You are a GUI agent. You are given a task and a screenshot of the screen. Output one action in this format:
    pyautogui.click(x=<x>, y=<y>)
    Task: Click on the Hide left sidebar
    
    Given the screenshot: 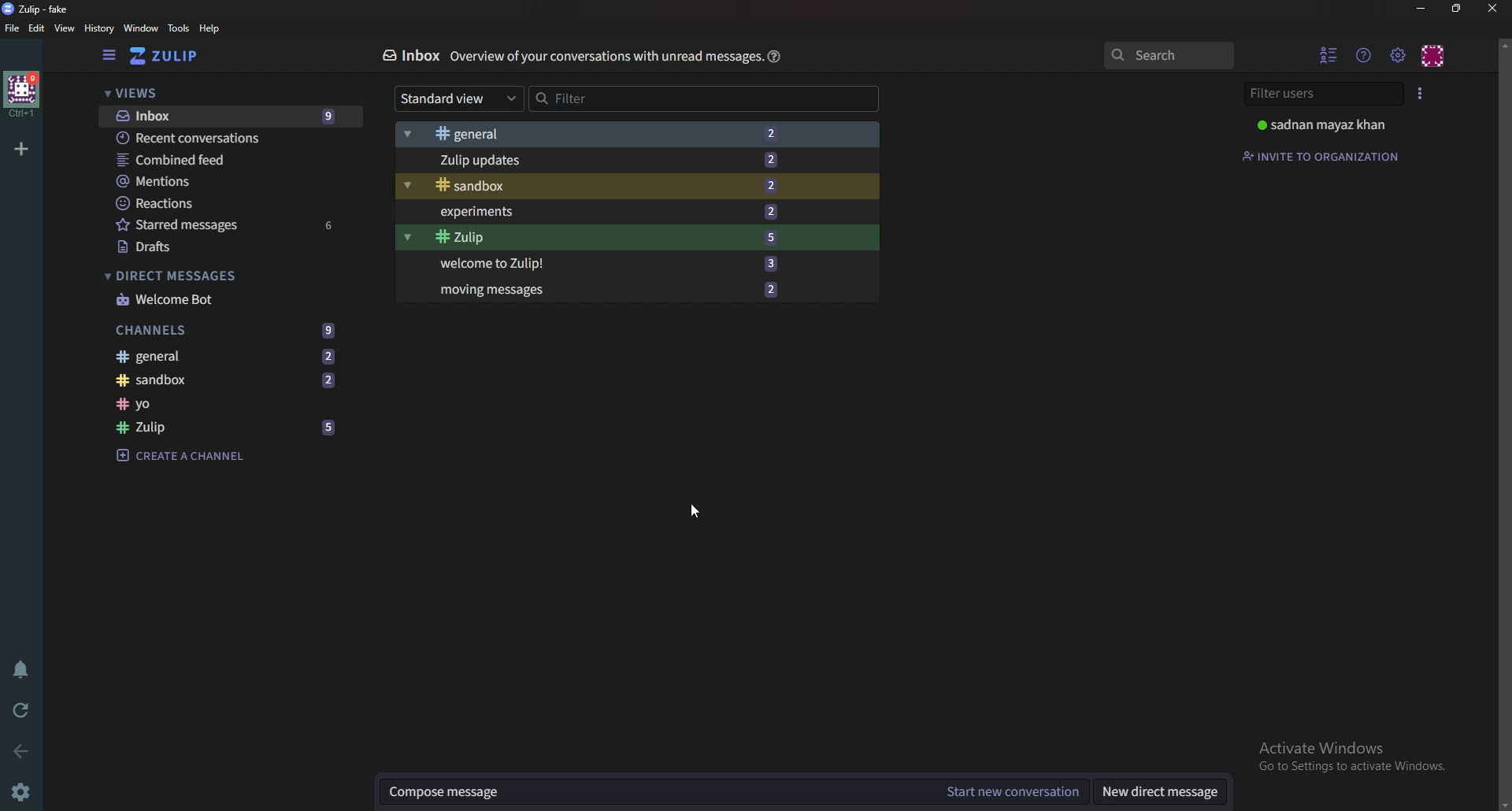 What is the action you would take?
    pyautogui.click(x=110, y=56)
    